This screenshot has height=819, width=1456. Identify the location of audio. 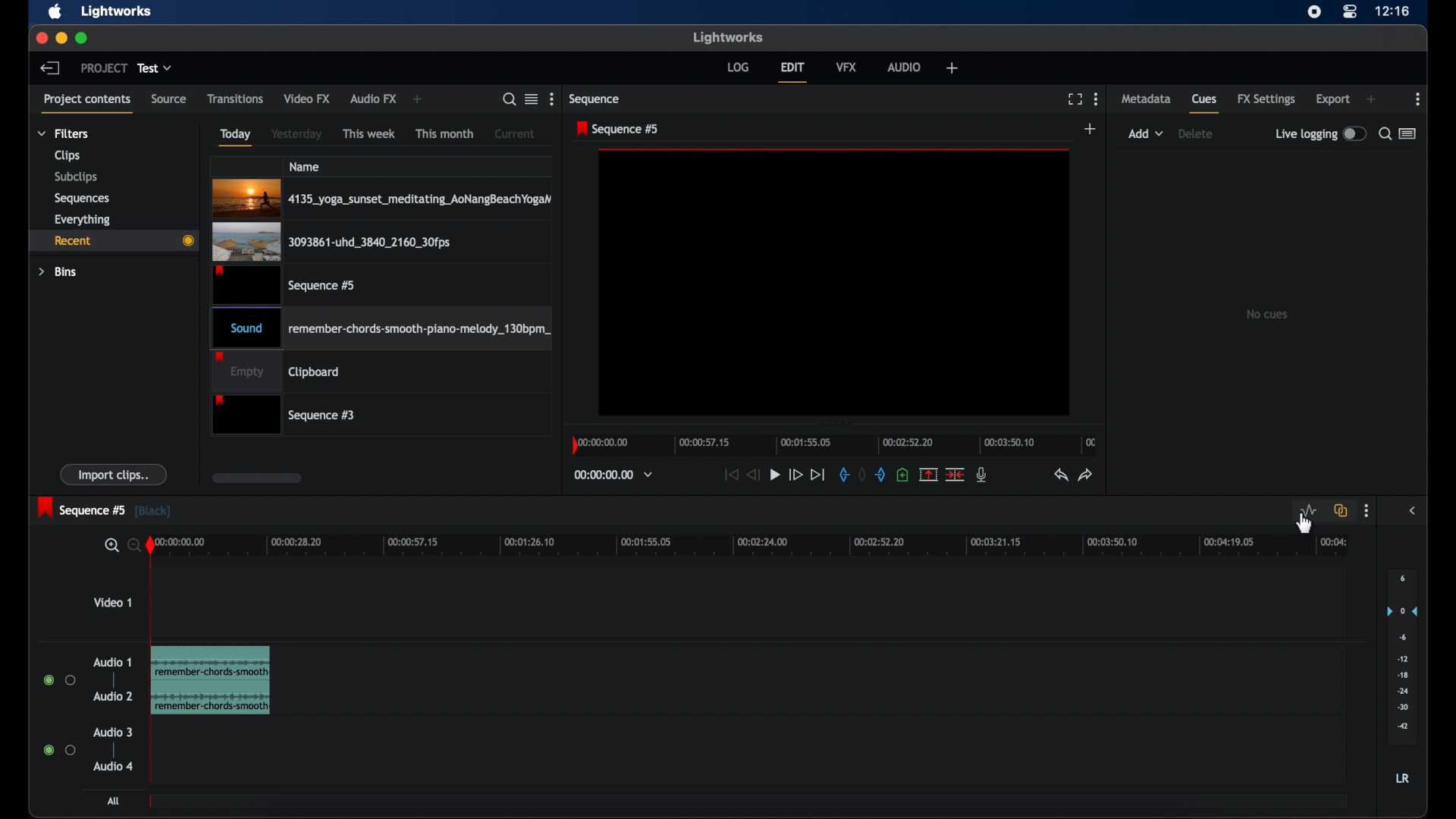
(904, 66).